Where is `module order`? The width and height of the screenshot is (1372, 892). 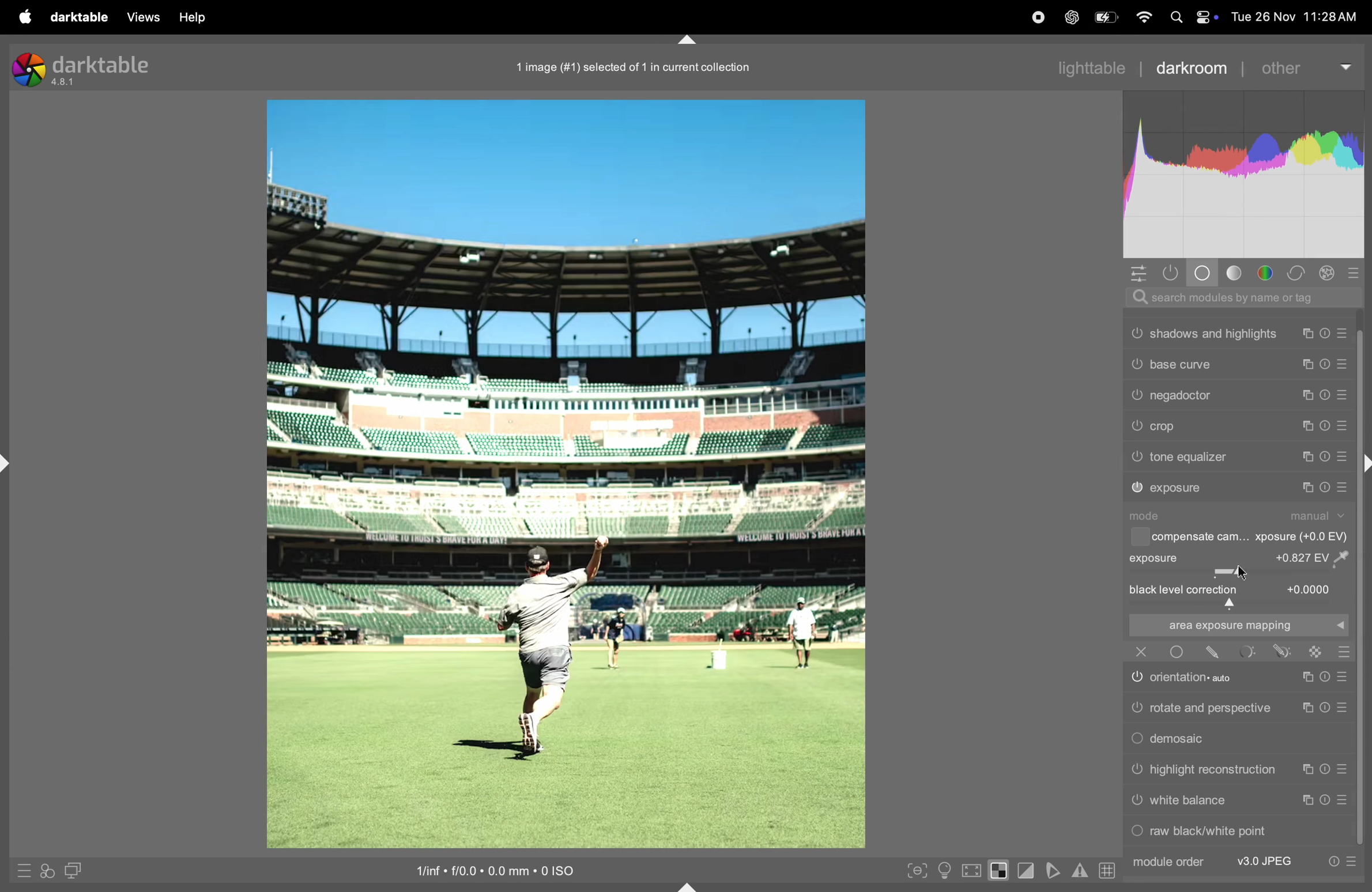 module order is located at coordinates (1167, 862).